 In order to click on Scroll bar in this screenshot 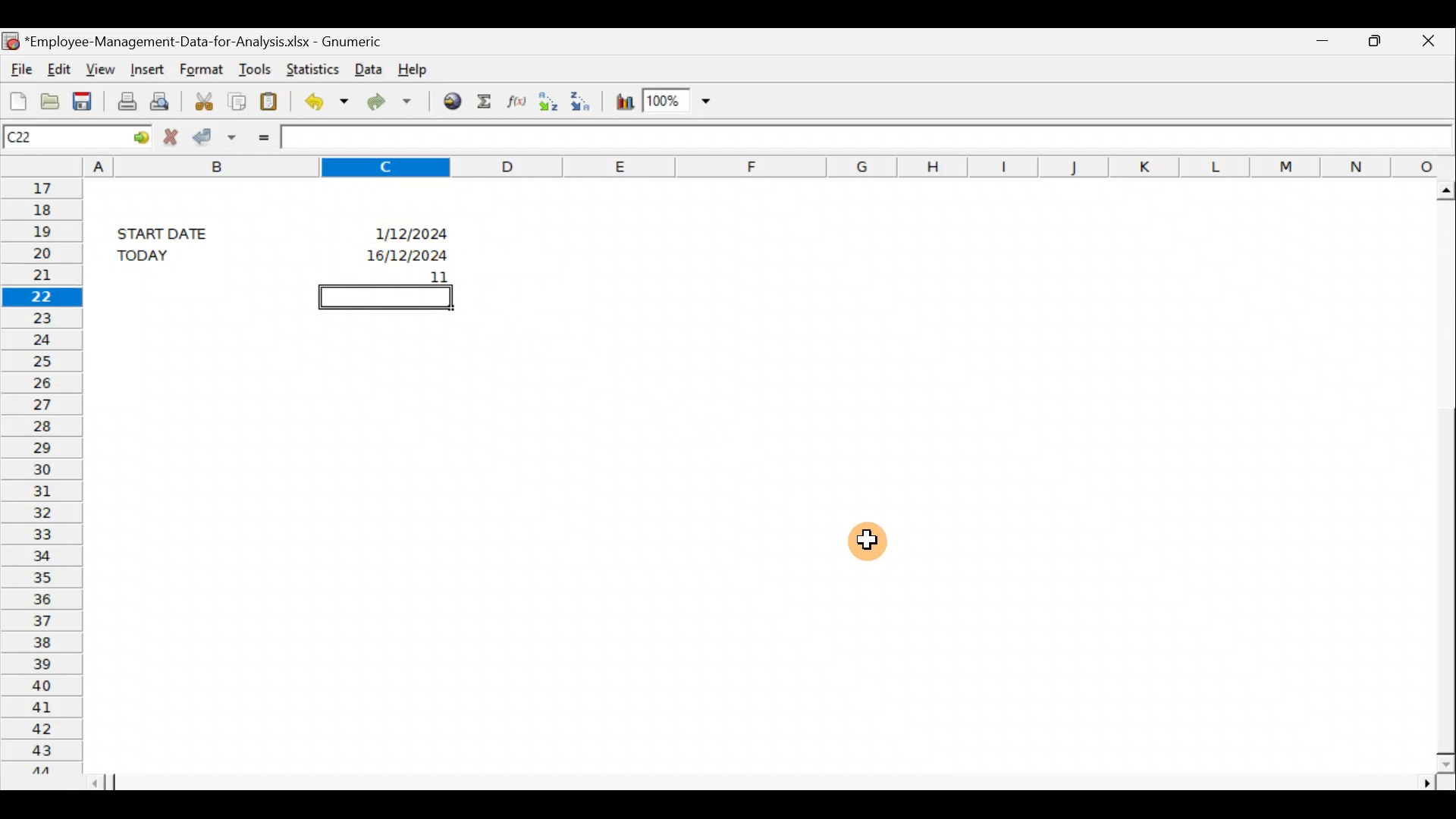, I will do `click(767, 780)`.